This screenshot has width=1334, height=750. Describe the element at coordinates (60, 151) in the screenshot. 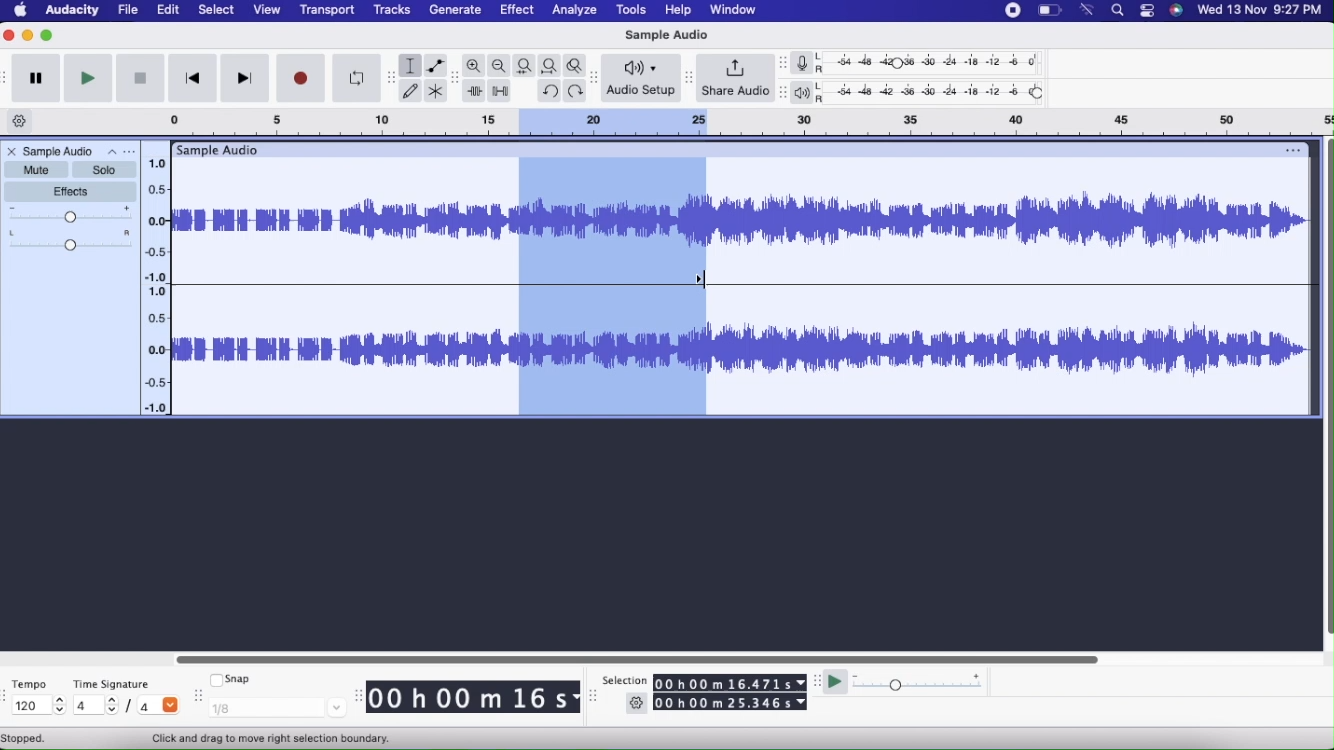

I see `Sample Audio` at that location.